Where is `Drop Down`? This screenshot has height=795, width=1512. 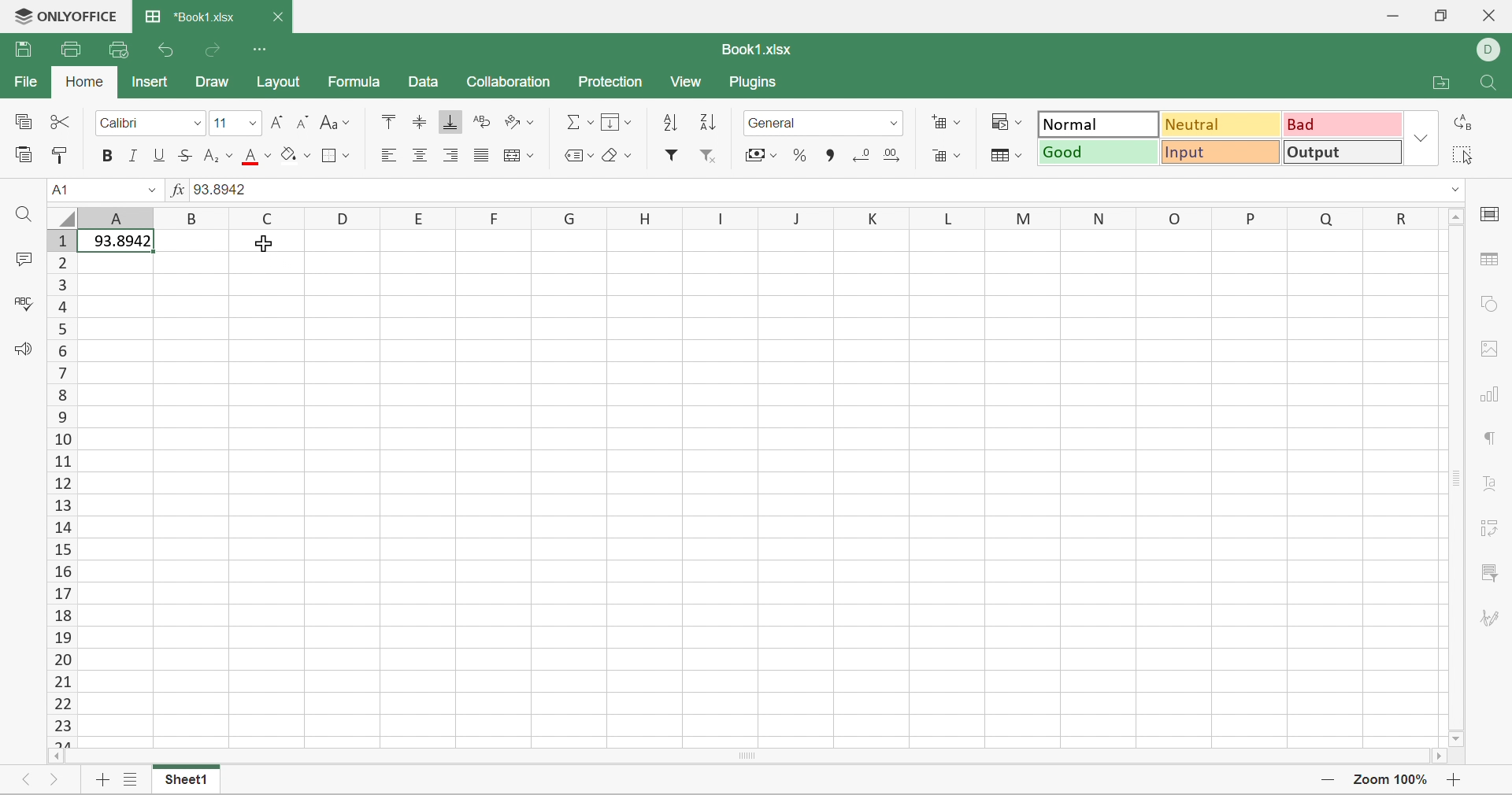
Drop Down is located at coordinates (251, 122).